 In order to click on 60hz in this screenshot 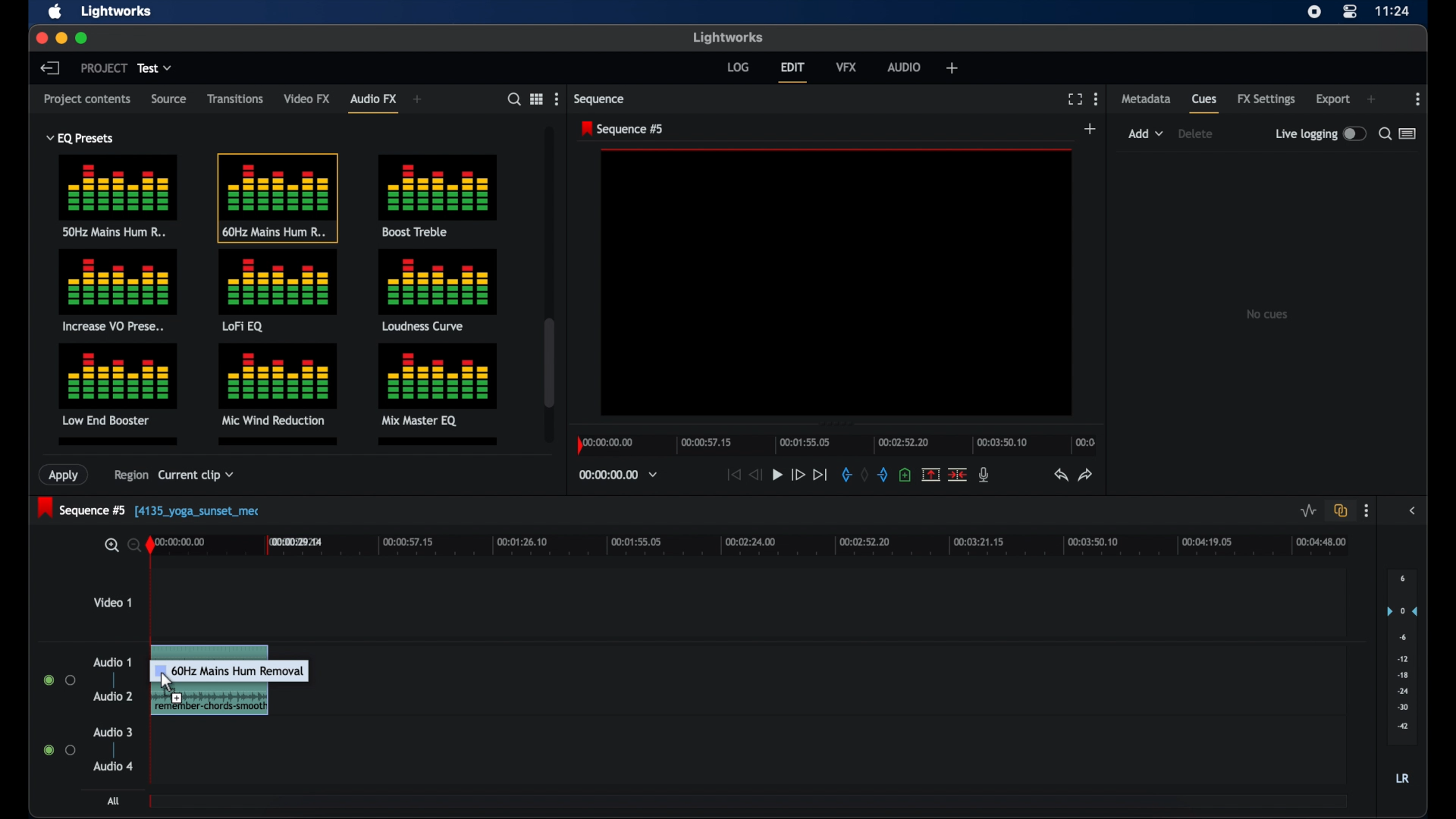, I will do `click(277, 197)`.